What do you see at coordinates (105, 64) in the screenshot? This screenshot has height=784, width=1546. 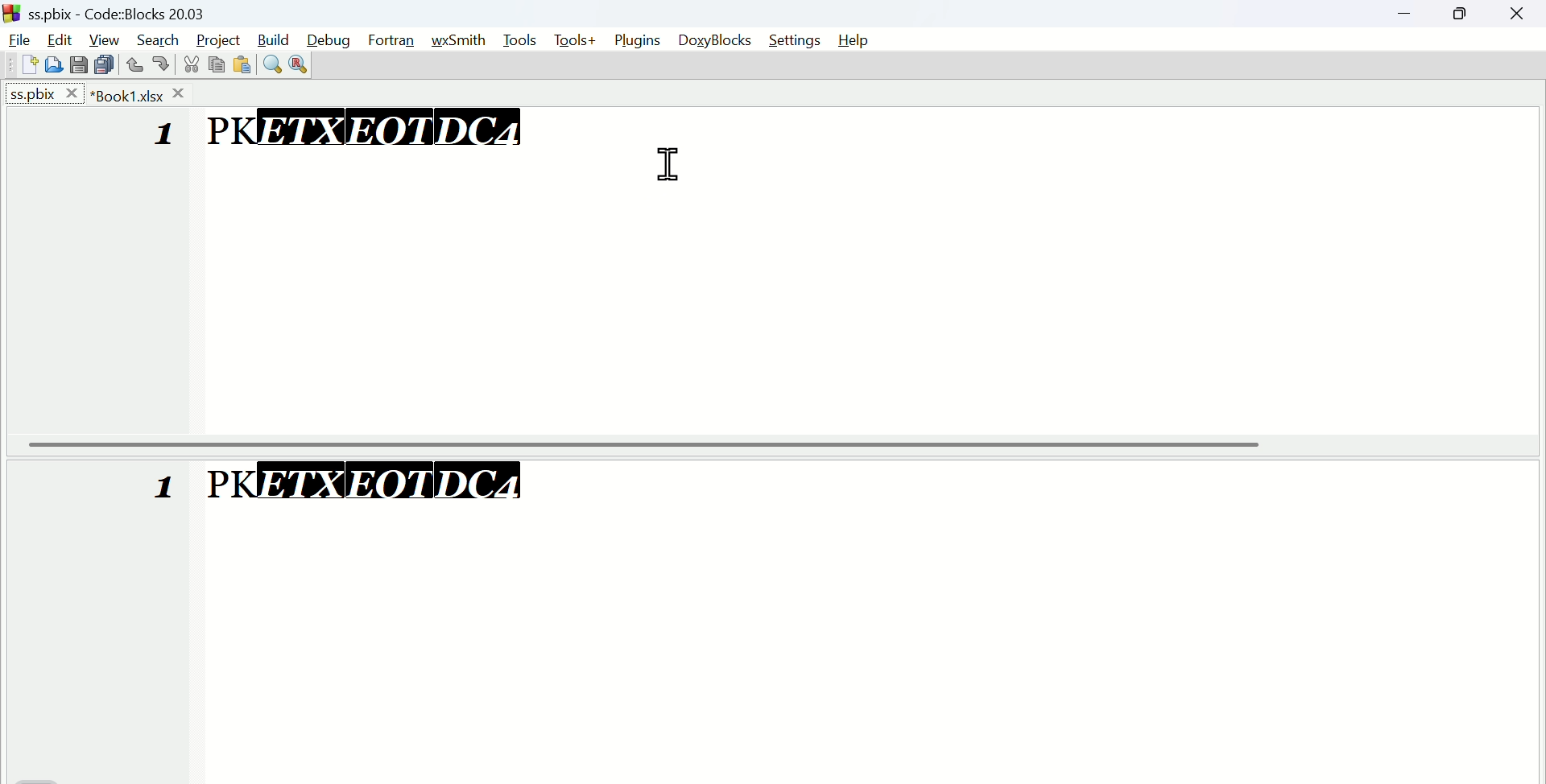 I see `Paste` at bounding box center [105, 64].